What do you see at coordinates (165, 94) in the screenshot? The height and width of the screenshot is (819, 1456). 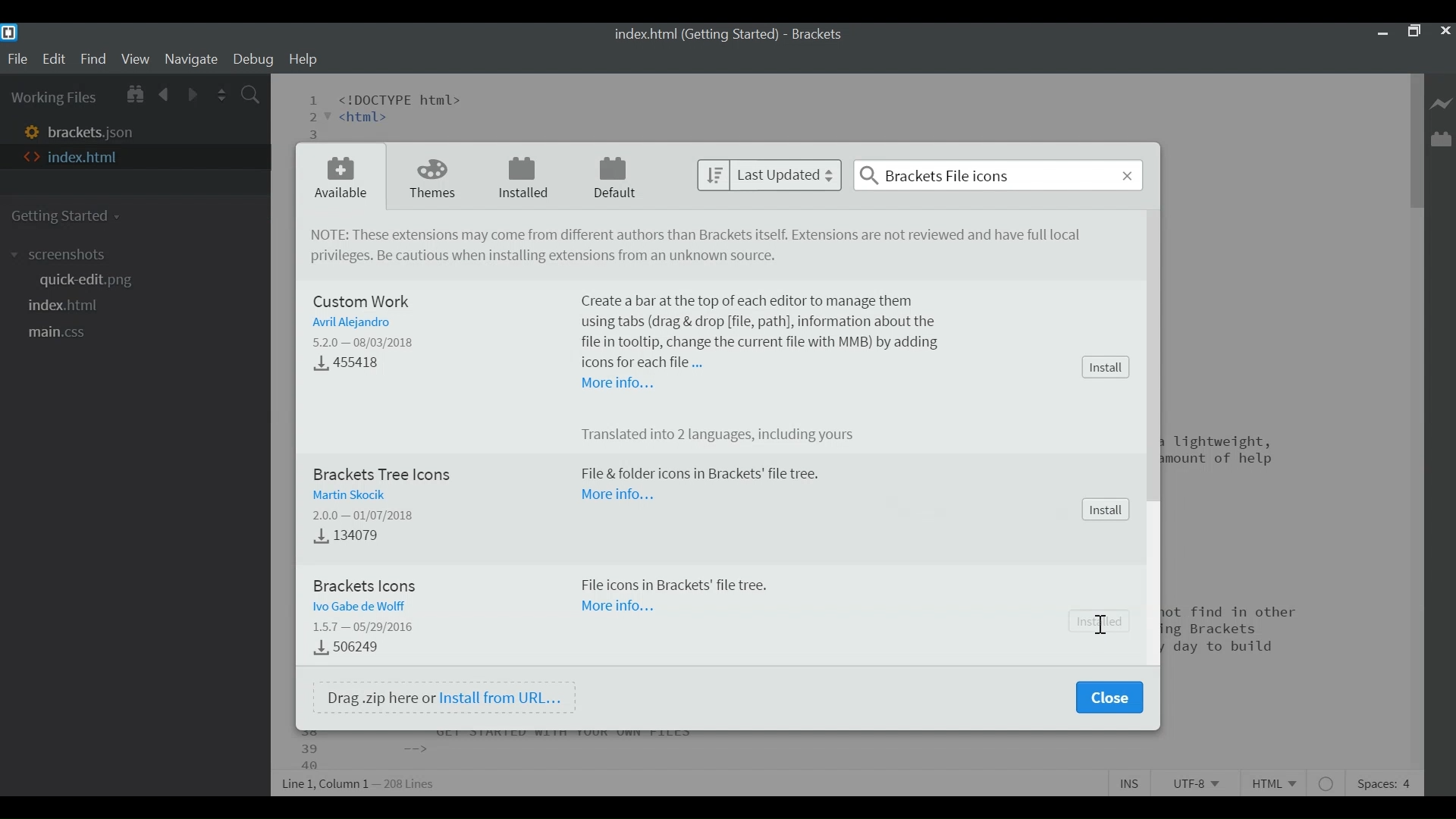 I see `Navigate Backward` at bounding box center [165, 94].